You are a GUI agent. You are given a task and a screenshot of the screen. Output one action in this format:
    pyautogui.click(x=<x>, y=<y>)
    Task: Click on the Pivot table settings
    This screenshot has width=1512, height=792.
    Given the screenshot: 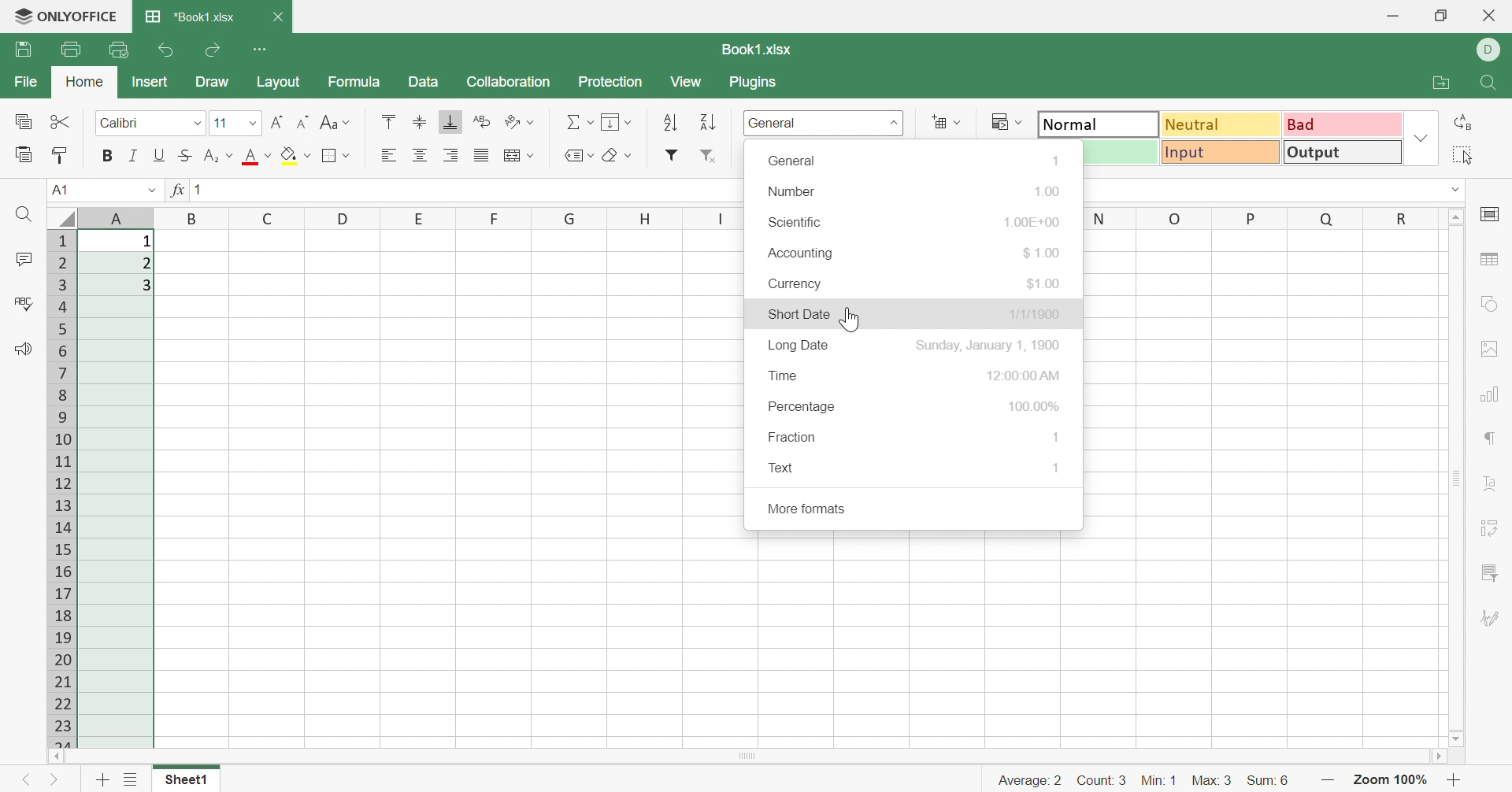 What is the action you would take?
    pyautogui.click(x=1494, y=528)
    